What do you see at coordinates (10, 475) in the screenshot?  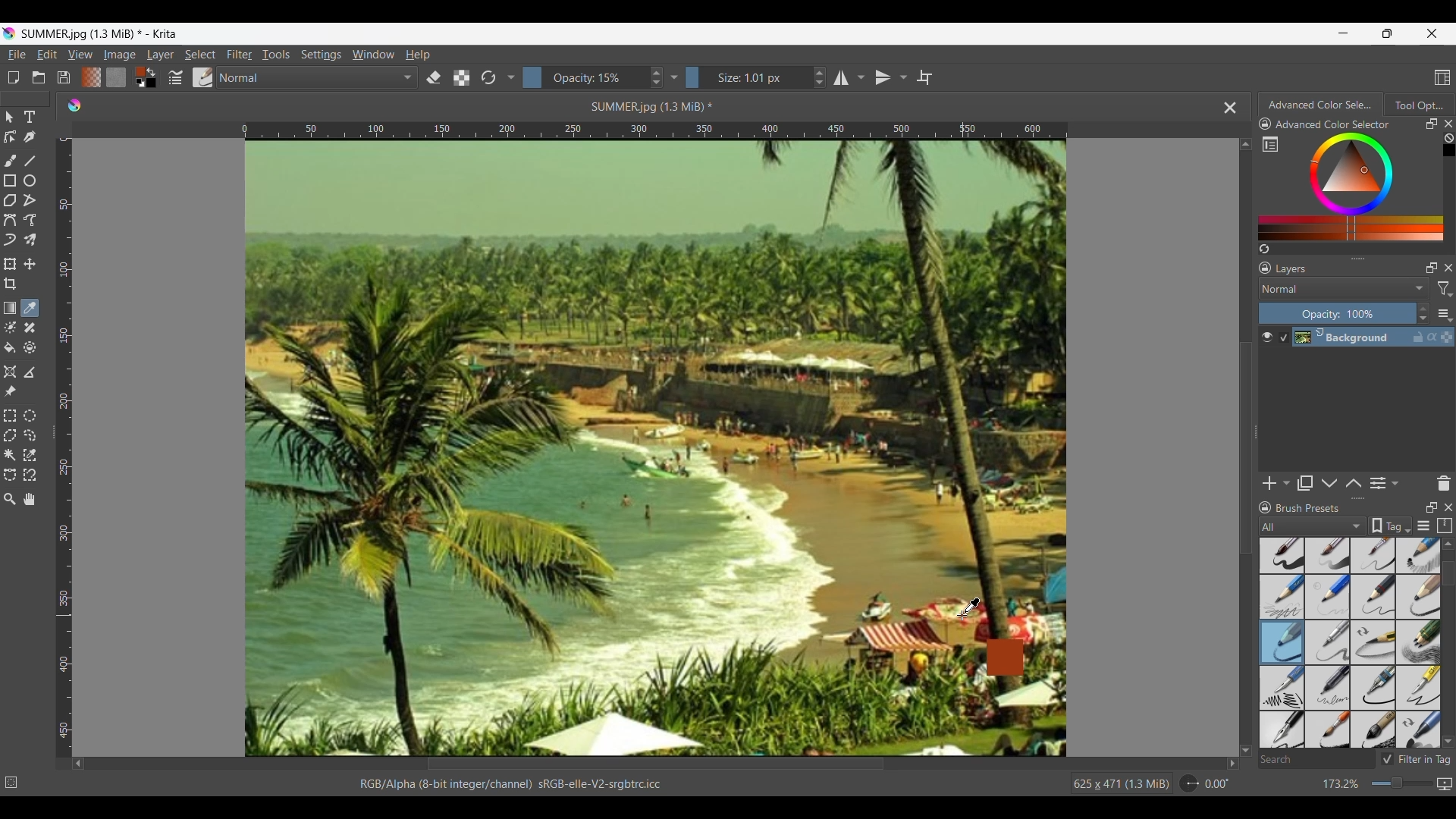 I see `Bezier curve selection tool` at bounding box center [10, 475].